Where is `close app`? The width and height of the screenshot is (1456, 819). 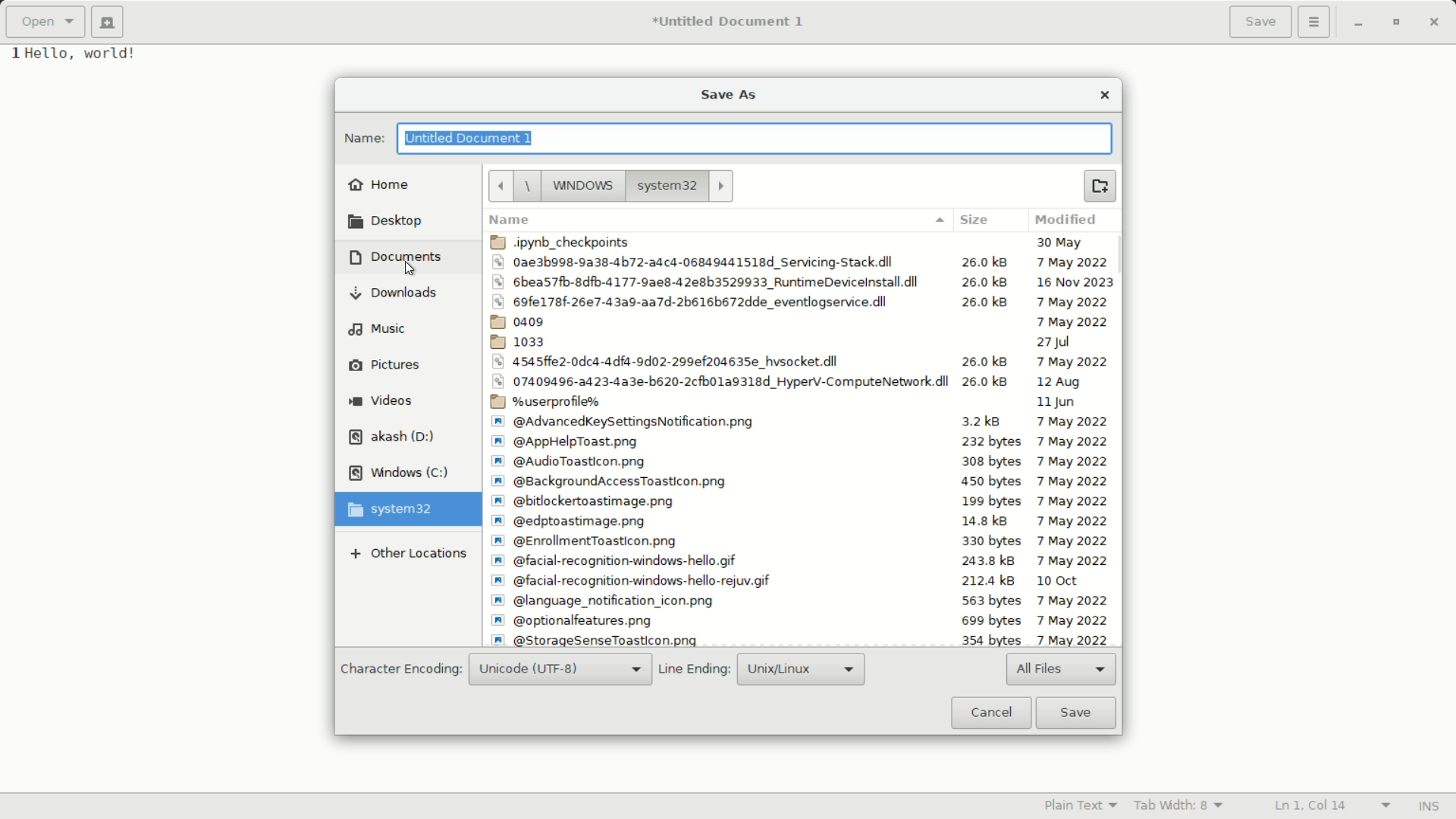
close app is located at coordinates (1439, 23).